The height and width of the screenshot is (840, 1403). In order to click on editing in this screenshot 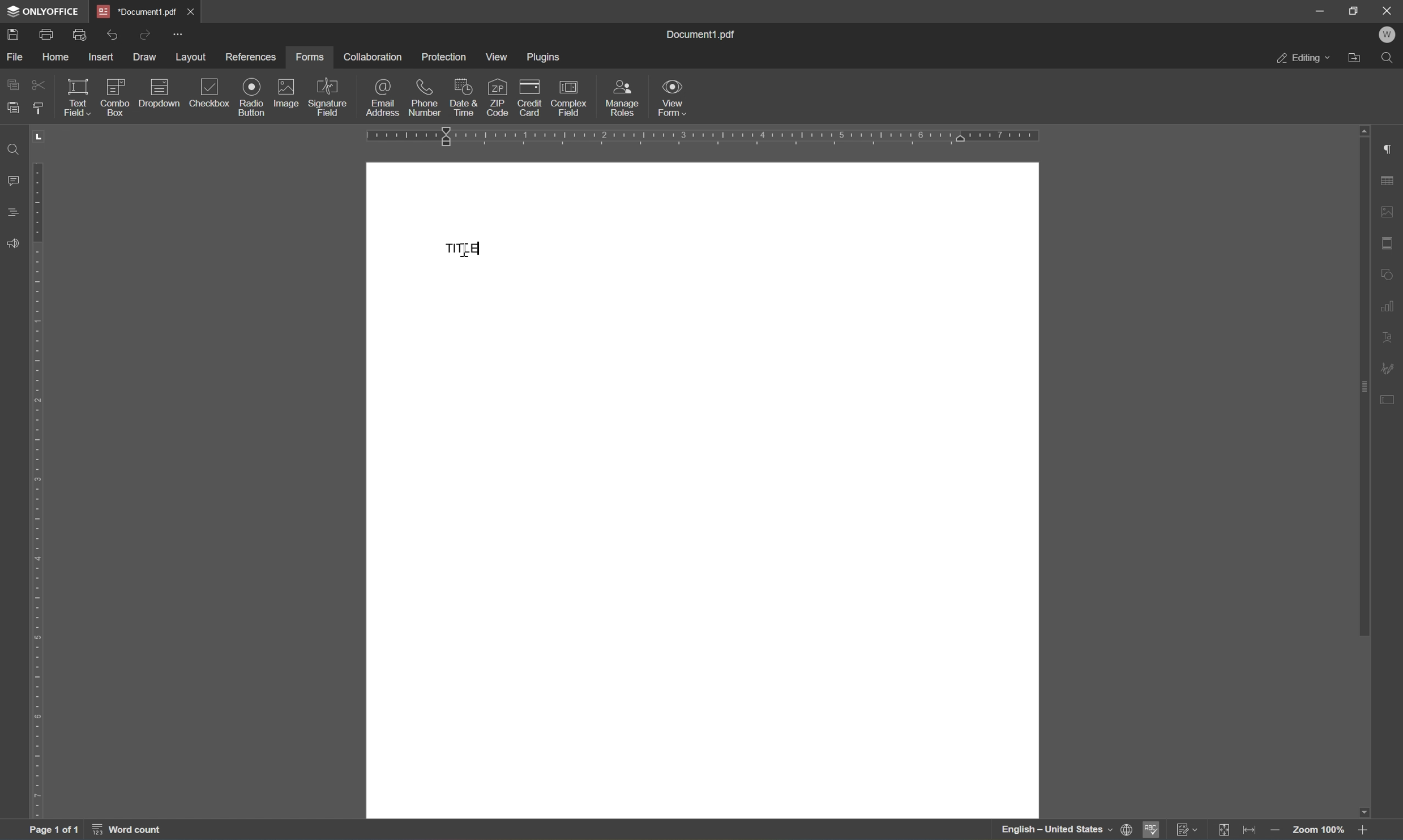, I will do `click(1302, 59)`.